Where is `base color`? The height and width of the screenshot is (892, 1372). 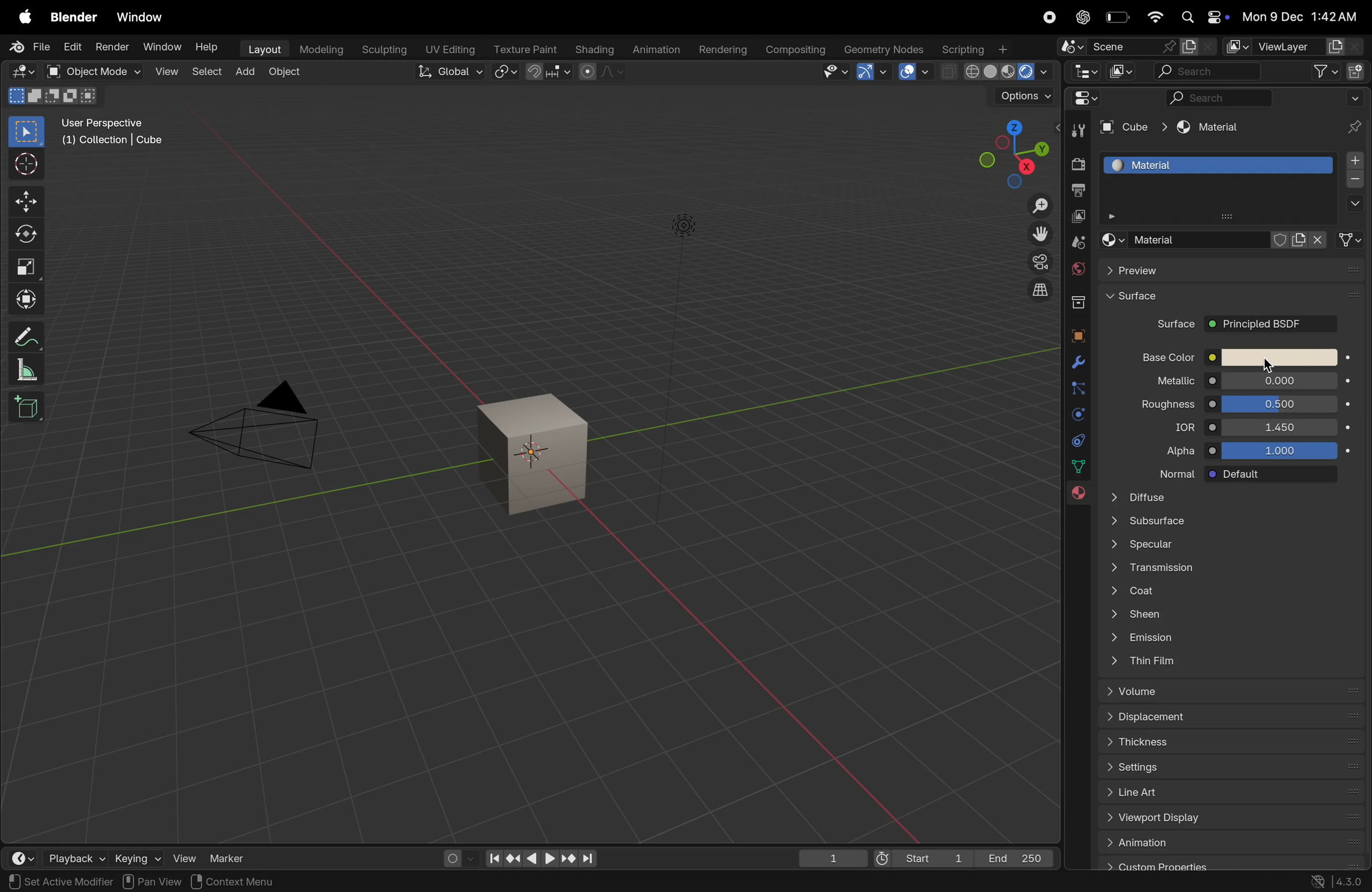 base color is located at coordinates (1160, 357).